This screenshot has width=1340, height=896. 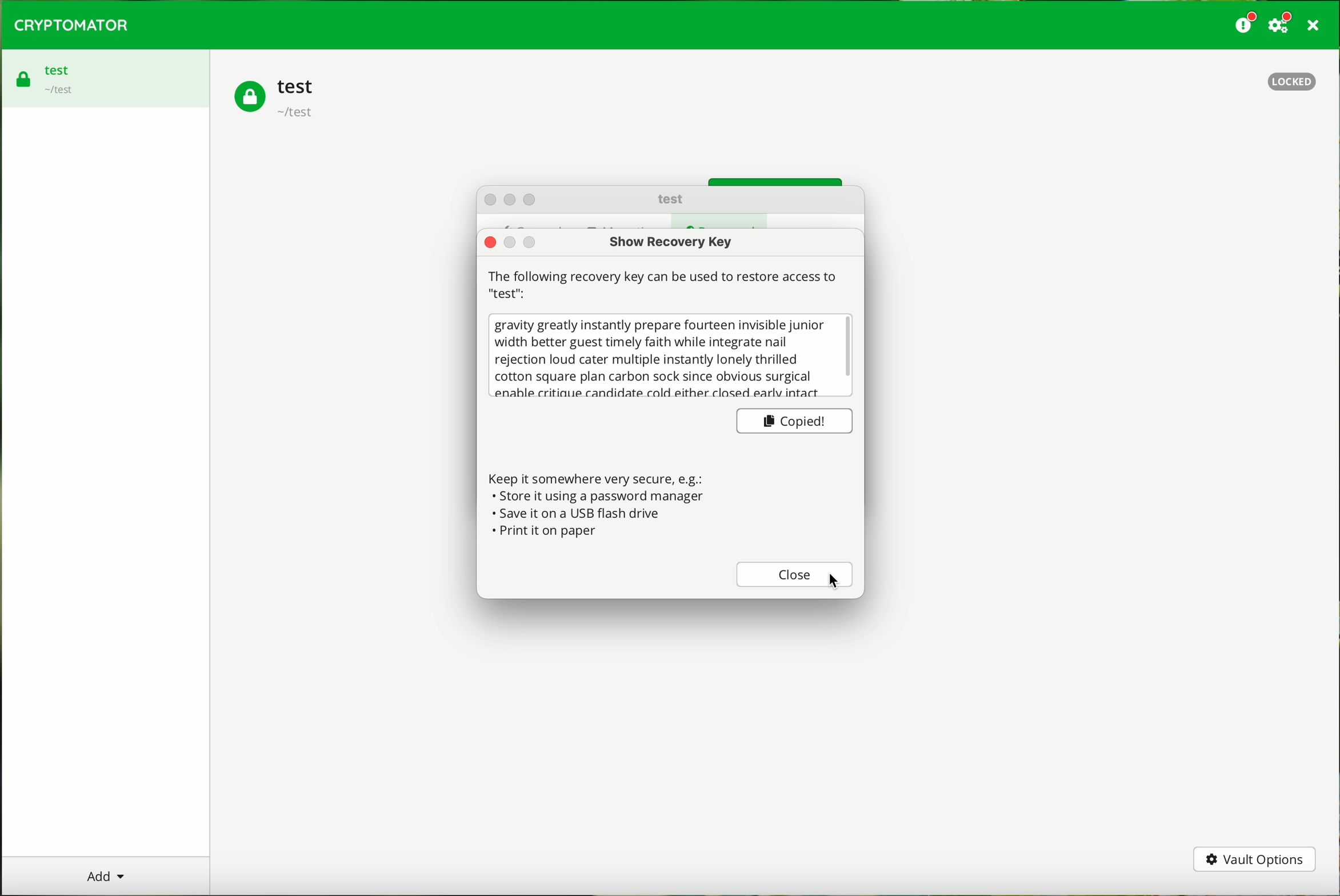 I want to click on close program, so click(x=1317, y=25).